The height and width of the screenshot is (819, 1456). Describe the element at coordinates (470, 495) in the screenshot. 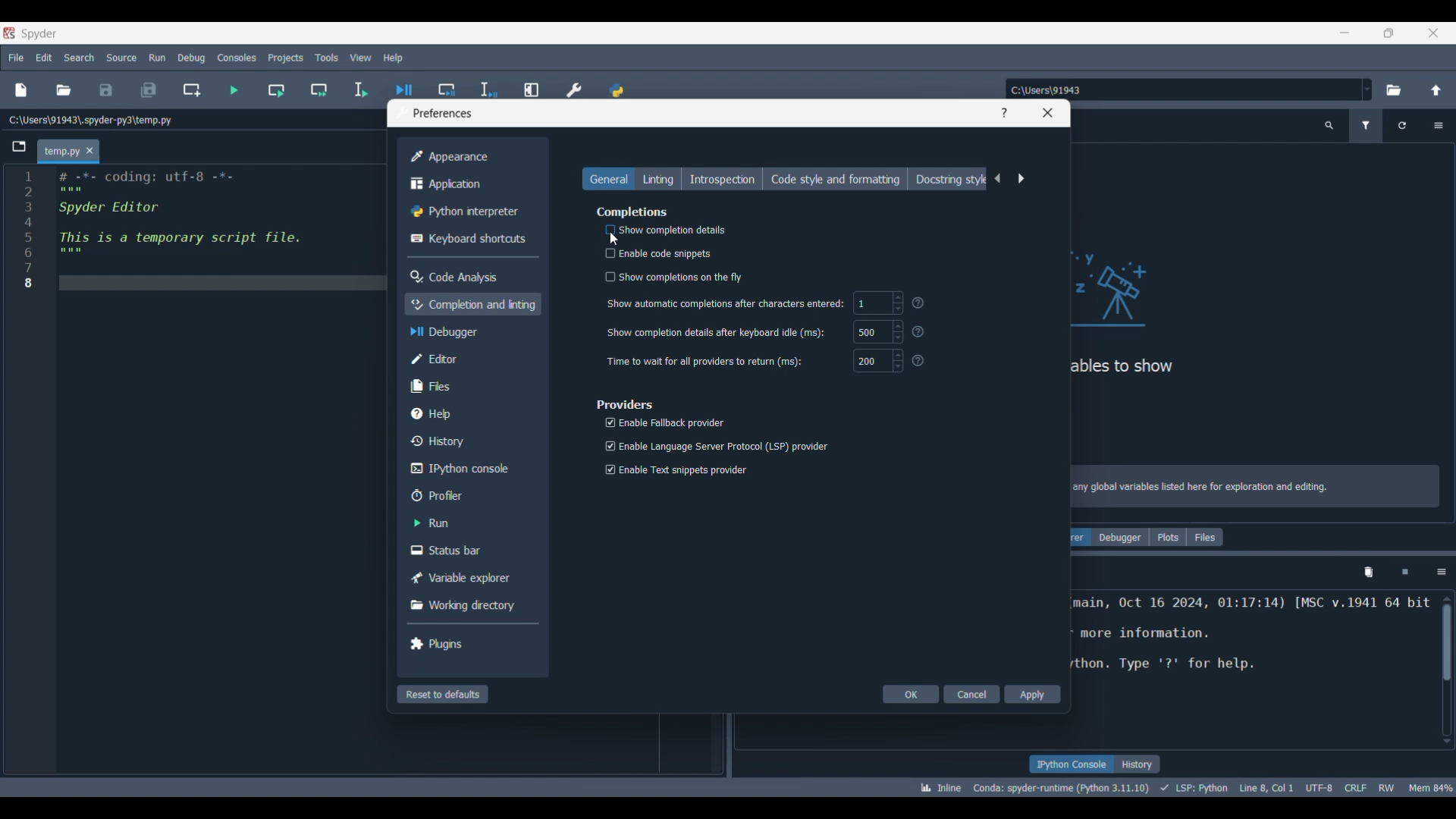

I see `Profiler` at that location.